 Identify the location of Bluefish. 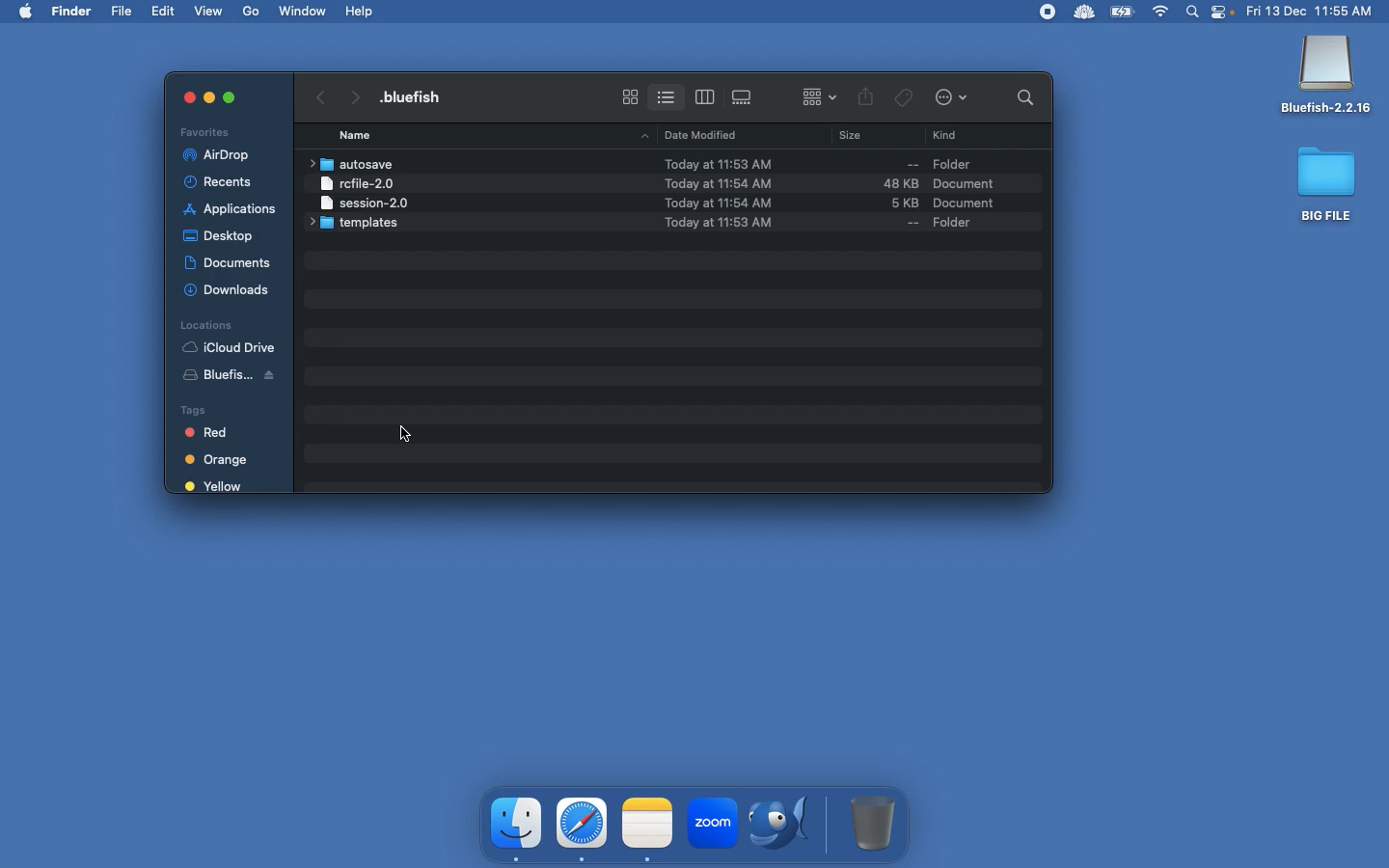
(785, 826).